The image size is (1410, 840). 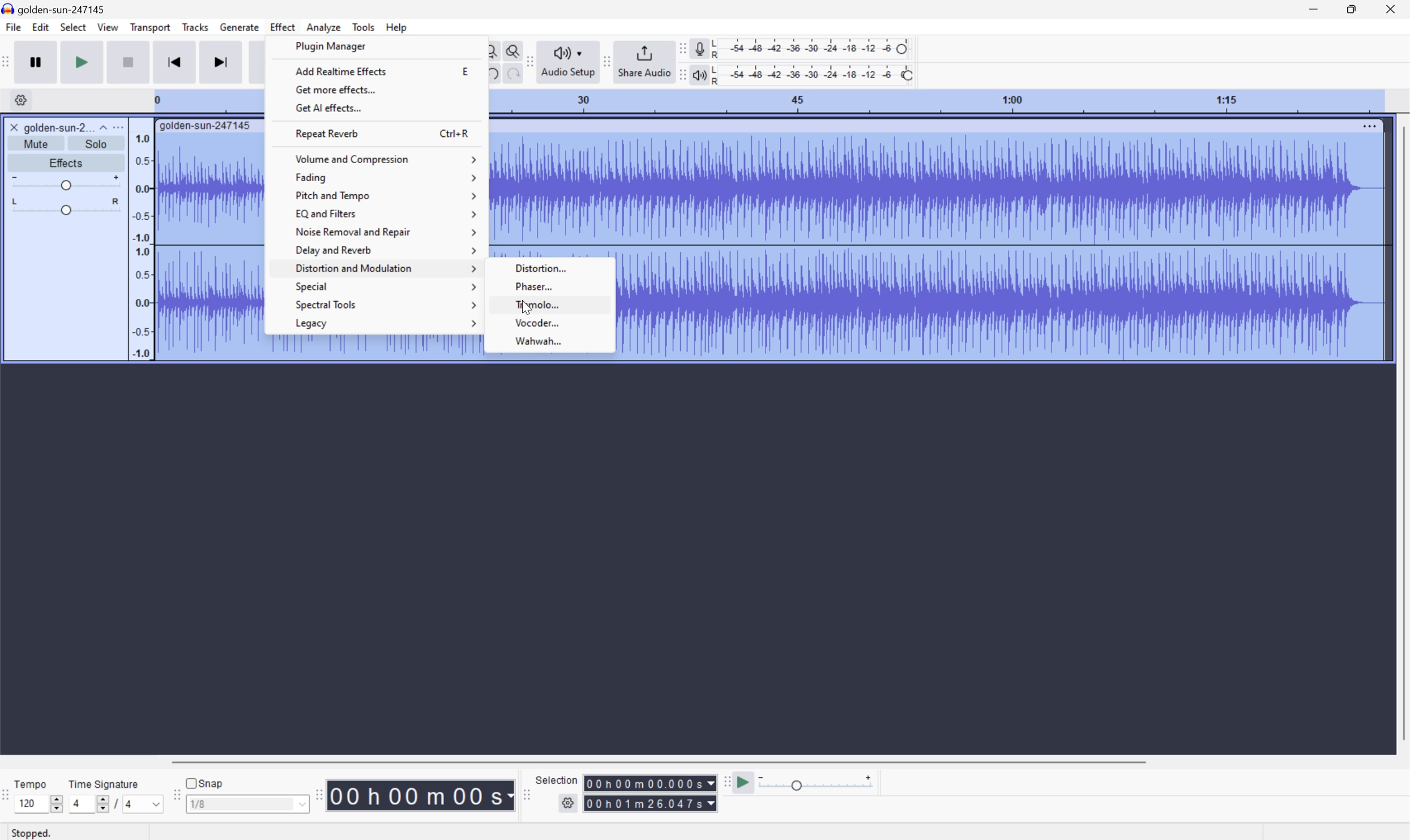 I want to click on 4, so click(x=144, y=804).